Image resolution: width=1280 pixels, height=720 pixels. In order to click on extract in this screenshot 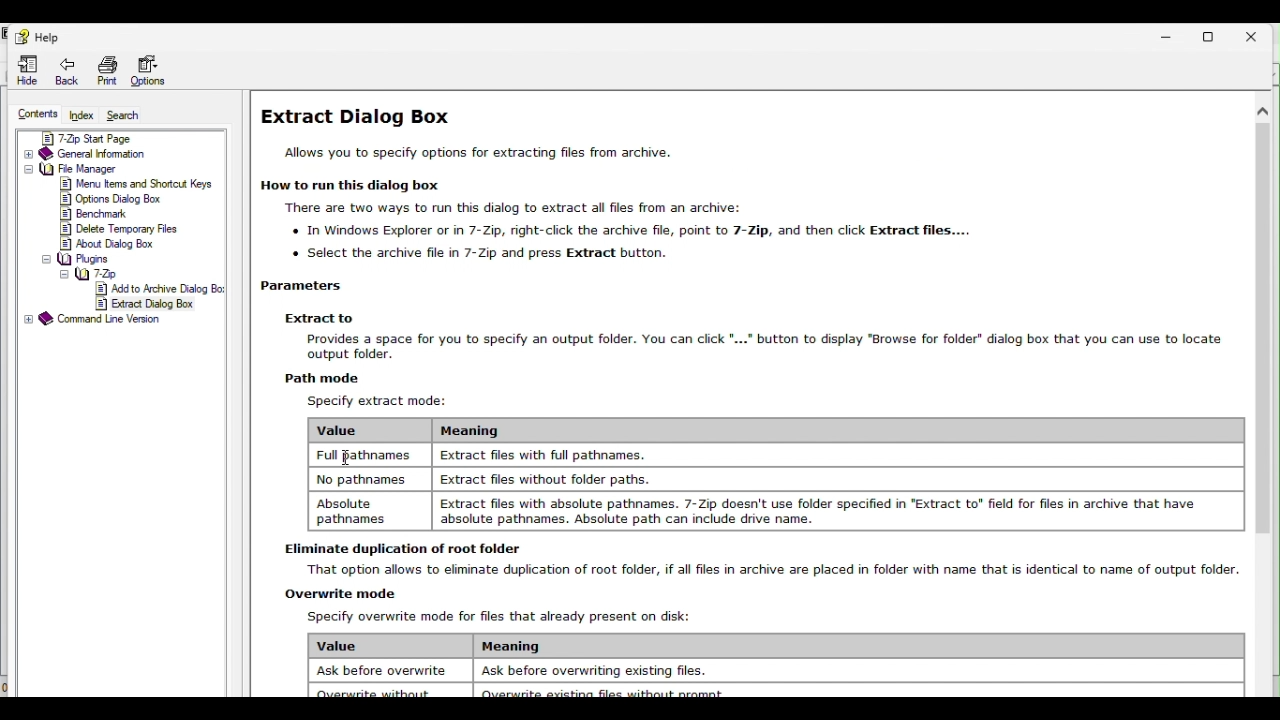, I will do `click(317, 319)`.